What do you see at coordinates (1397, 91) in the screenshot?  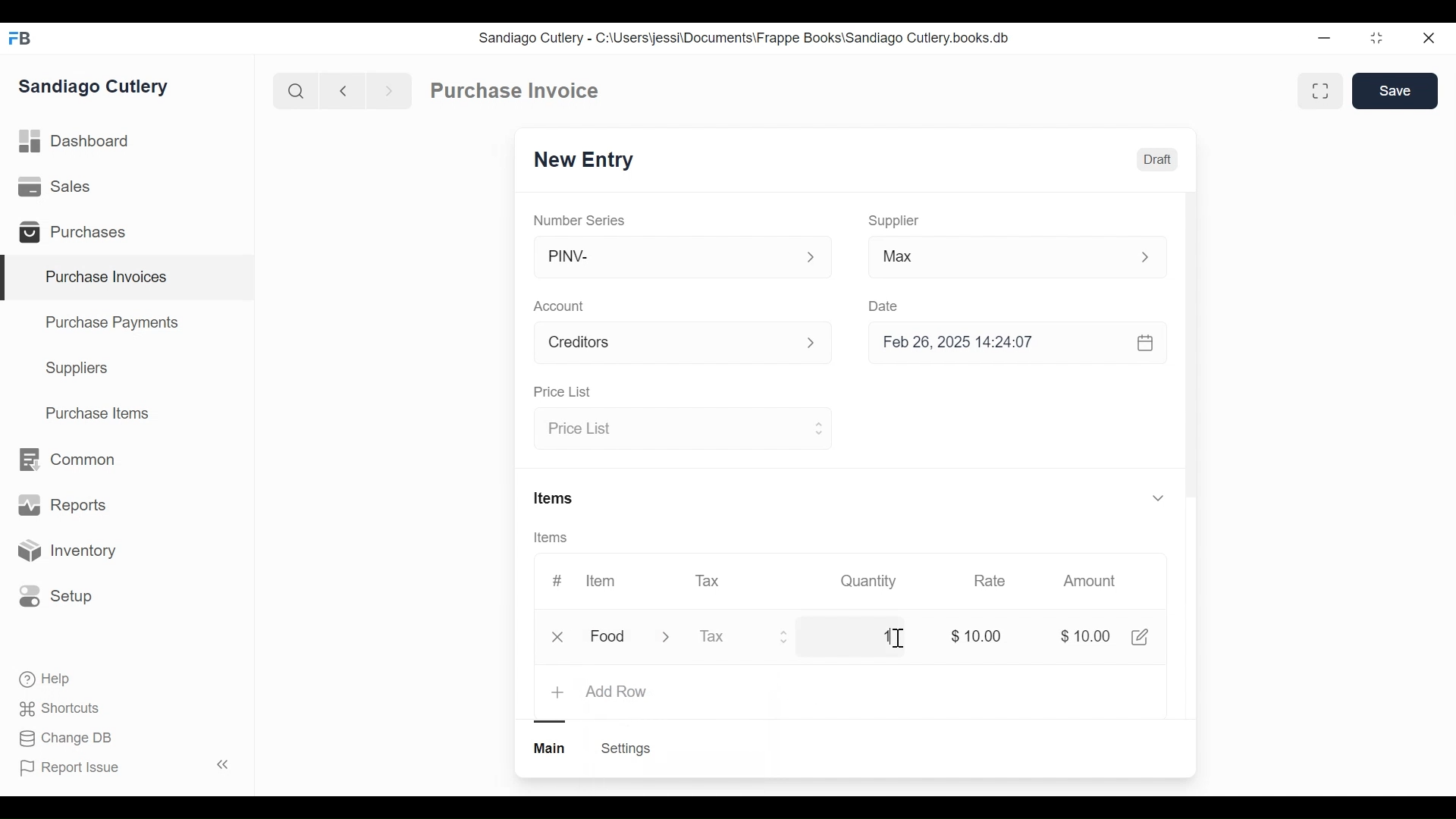 I see `Save` at bounding box center [1397, 91].